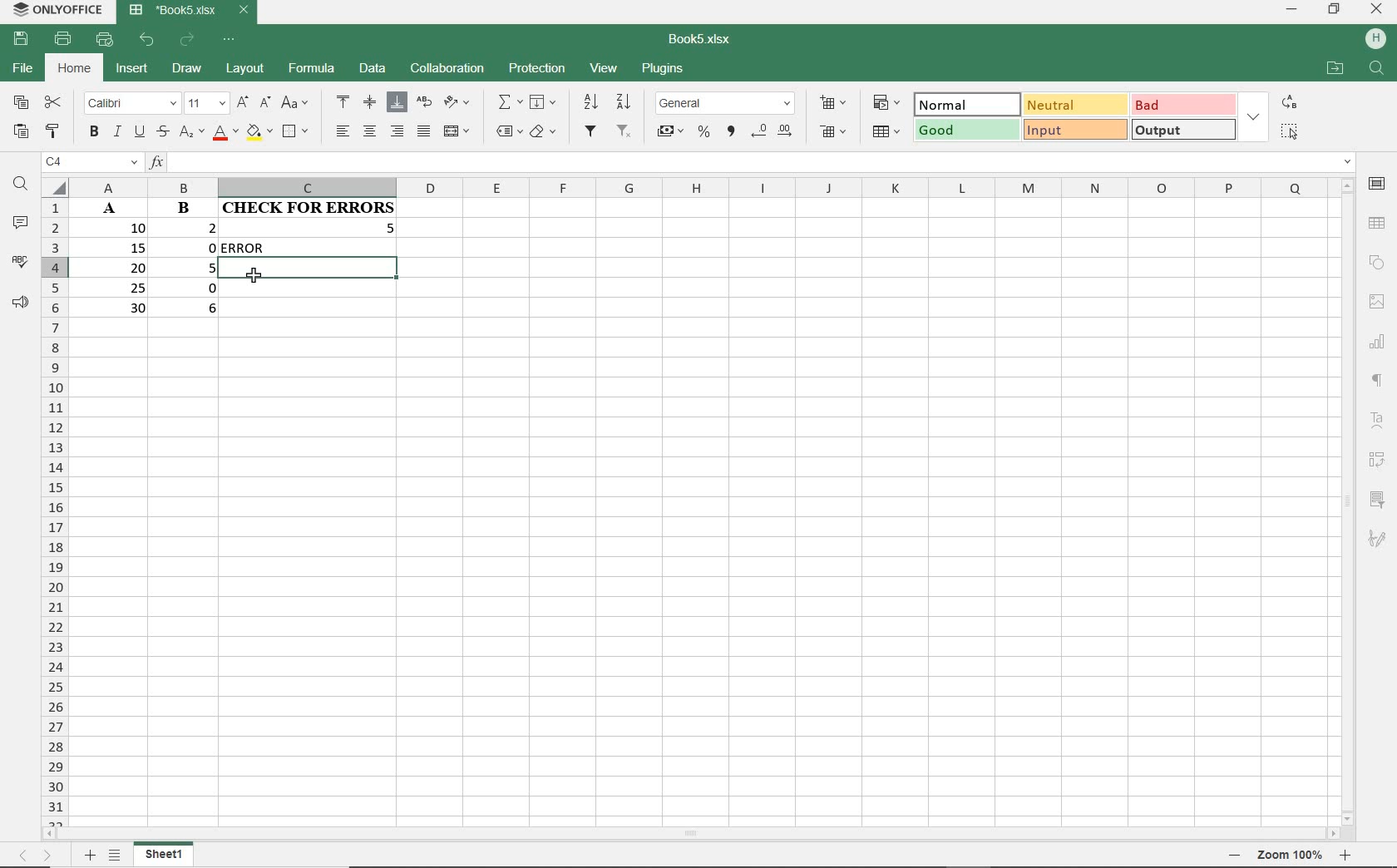 The width and height of the screenshot is (1397, 868). What do you see at coordinates (1350, 501) in the screenshot?
I see `SCROLLBAR` at bounding box center [1350, 501].